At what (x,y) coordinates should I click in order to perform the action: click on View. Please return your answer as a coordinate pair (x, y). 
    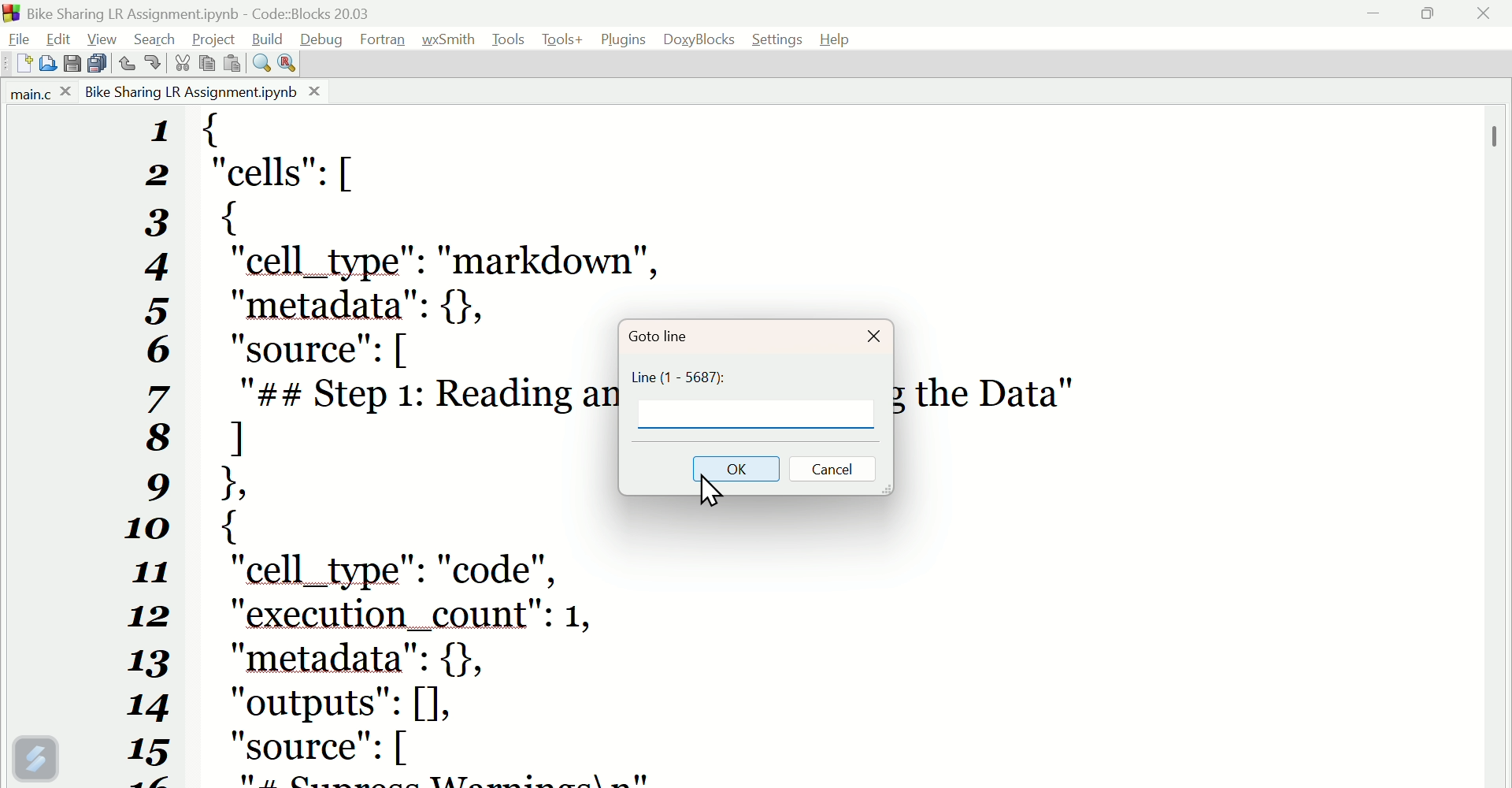
    Looking at the image, I should click on (105, 37).